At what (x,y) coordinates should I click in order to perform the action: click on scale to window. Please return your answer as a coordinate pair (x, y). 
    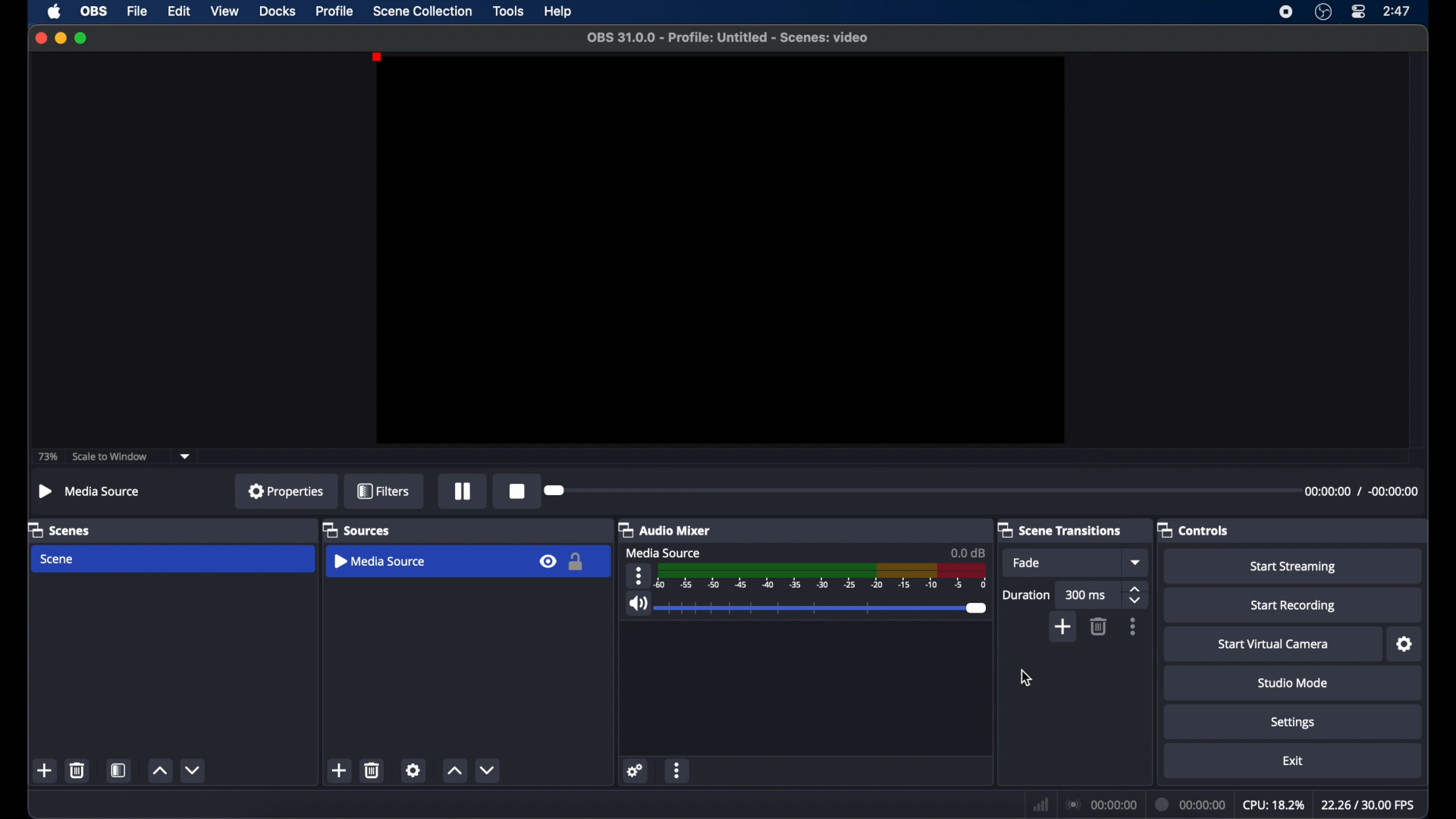
    Looking at the image, I should click on (110, 457).